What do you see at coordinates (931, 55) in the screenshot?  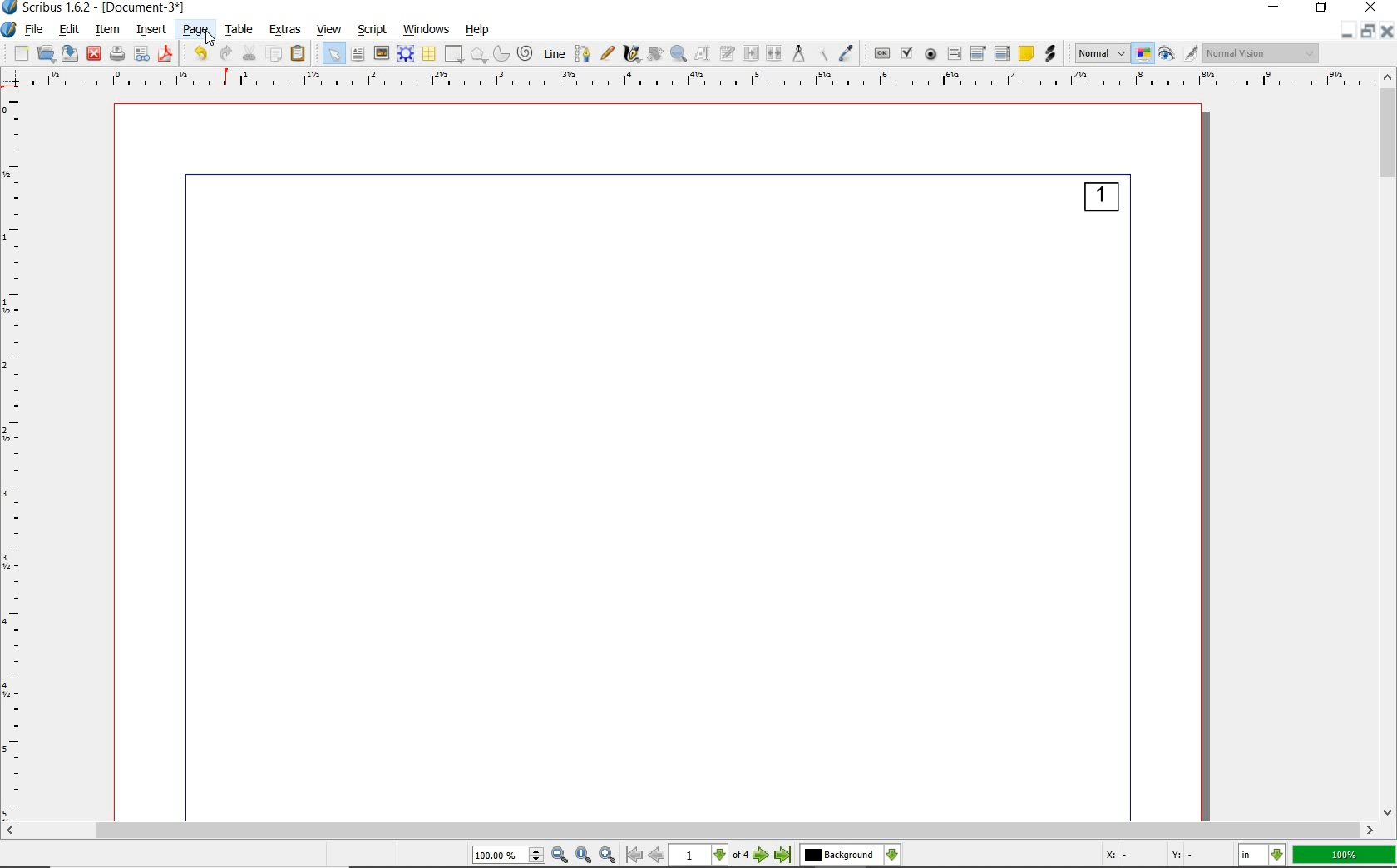 I see `pdf radio button` at bounding box center [931, 55].